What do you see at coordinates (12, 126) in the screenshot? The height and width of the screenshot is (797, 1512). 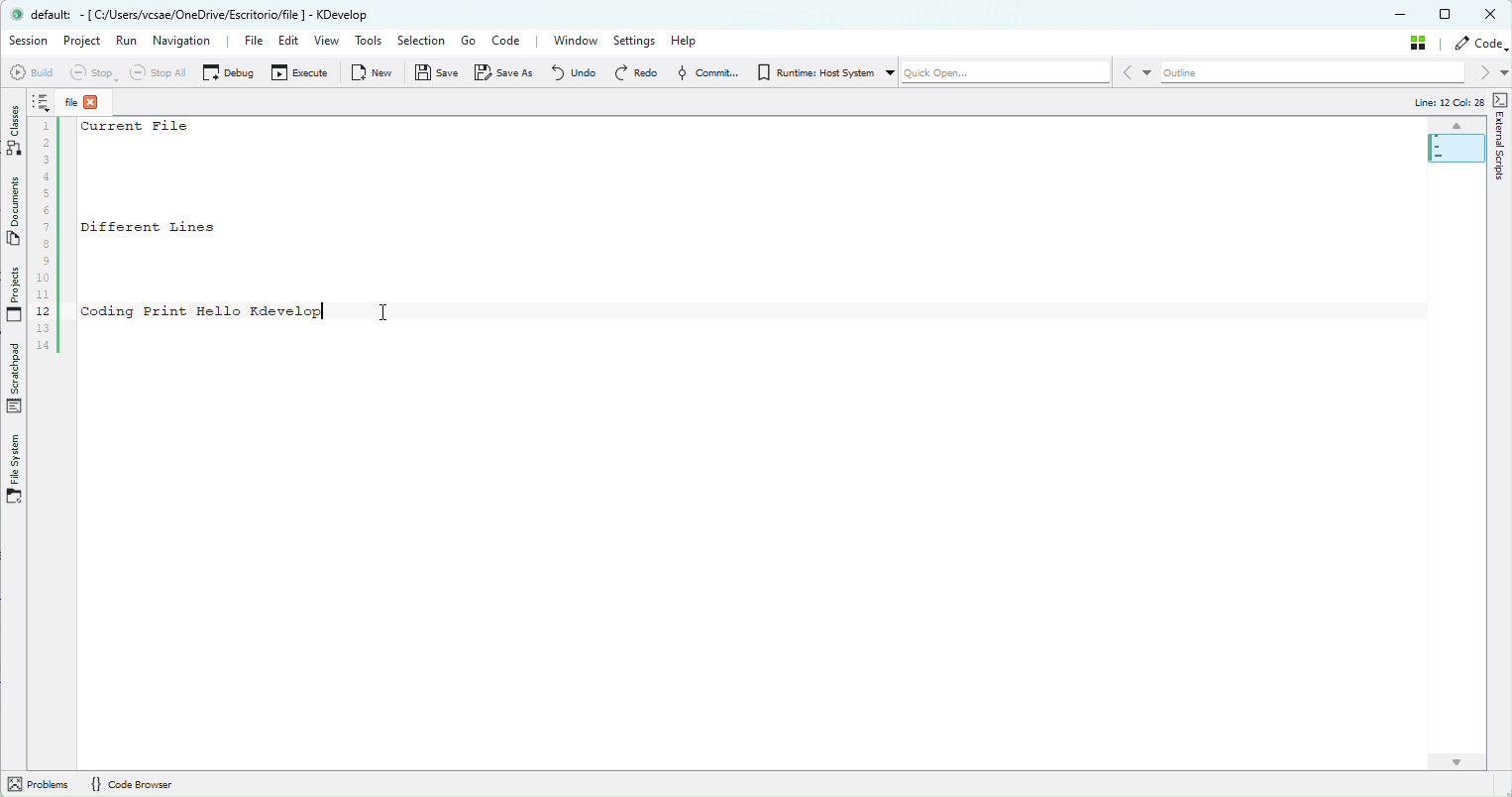 I see `Classes` at bounding box center [12, 126].